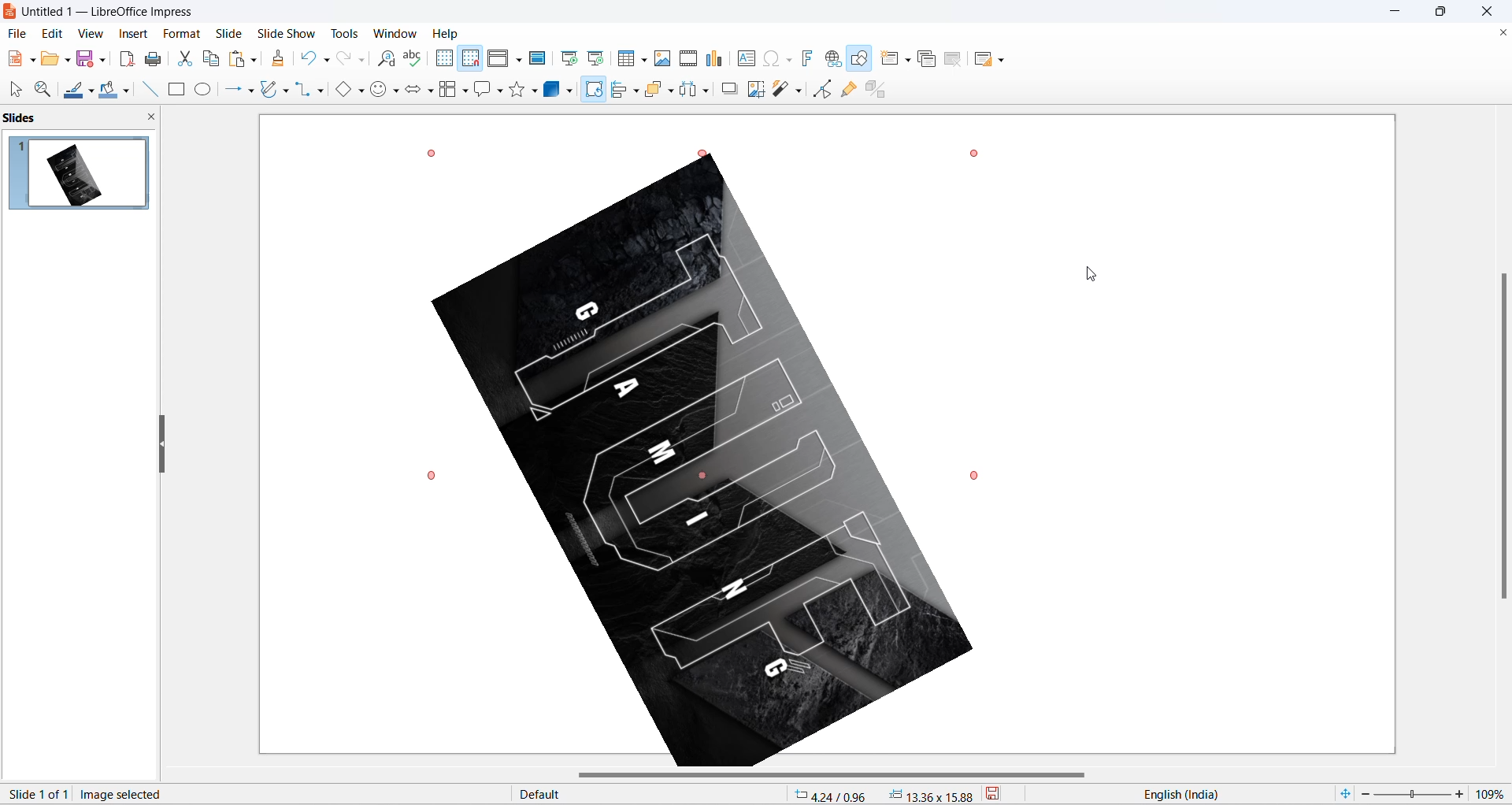 This screenshot has width=1512, height=805. What do you see at coordinates (481, 91) in the screenshot?
I see `callout shape` at bounding box center [481, 91].